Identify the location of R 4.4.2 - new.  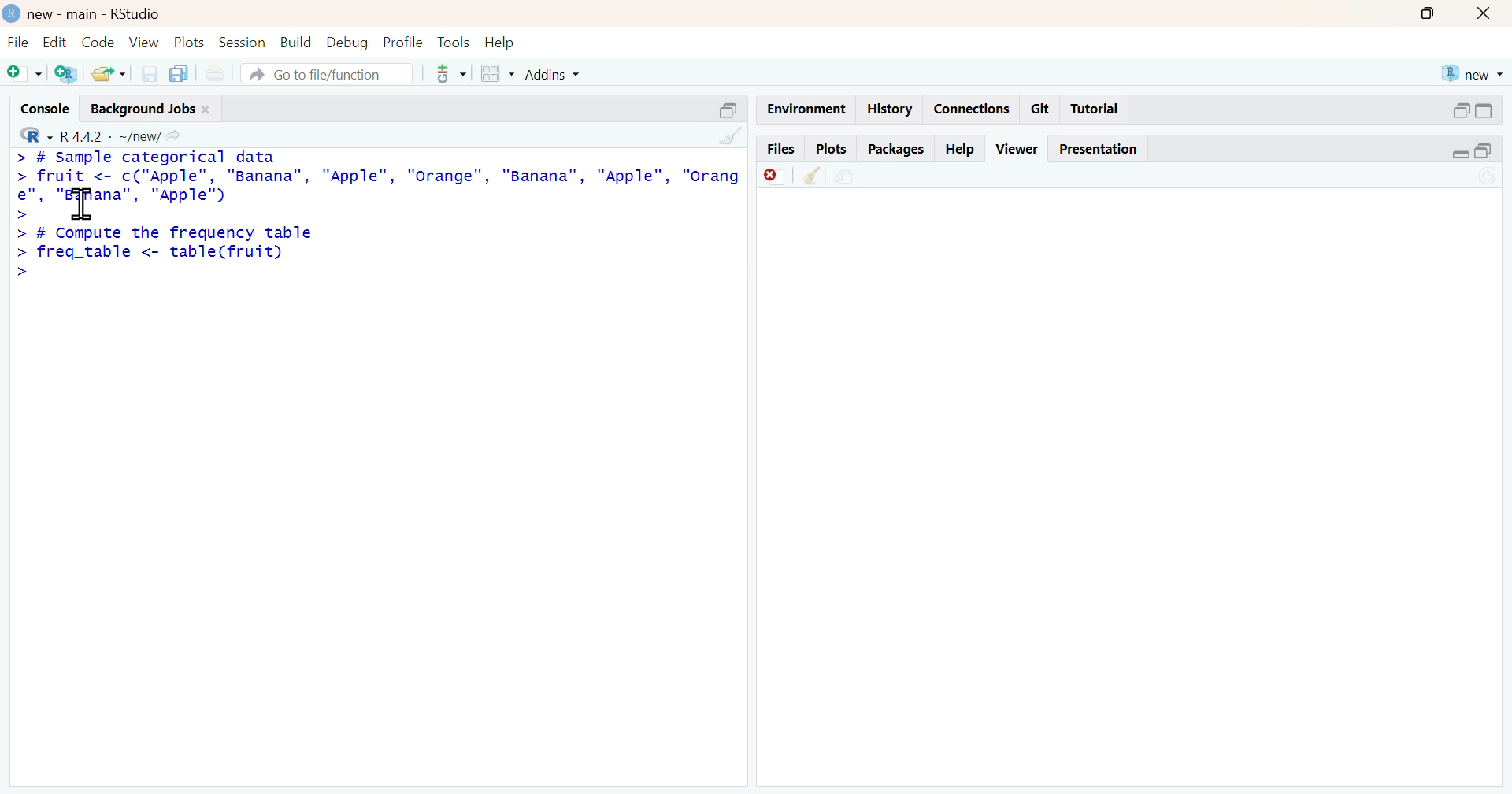
(84, 135).